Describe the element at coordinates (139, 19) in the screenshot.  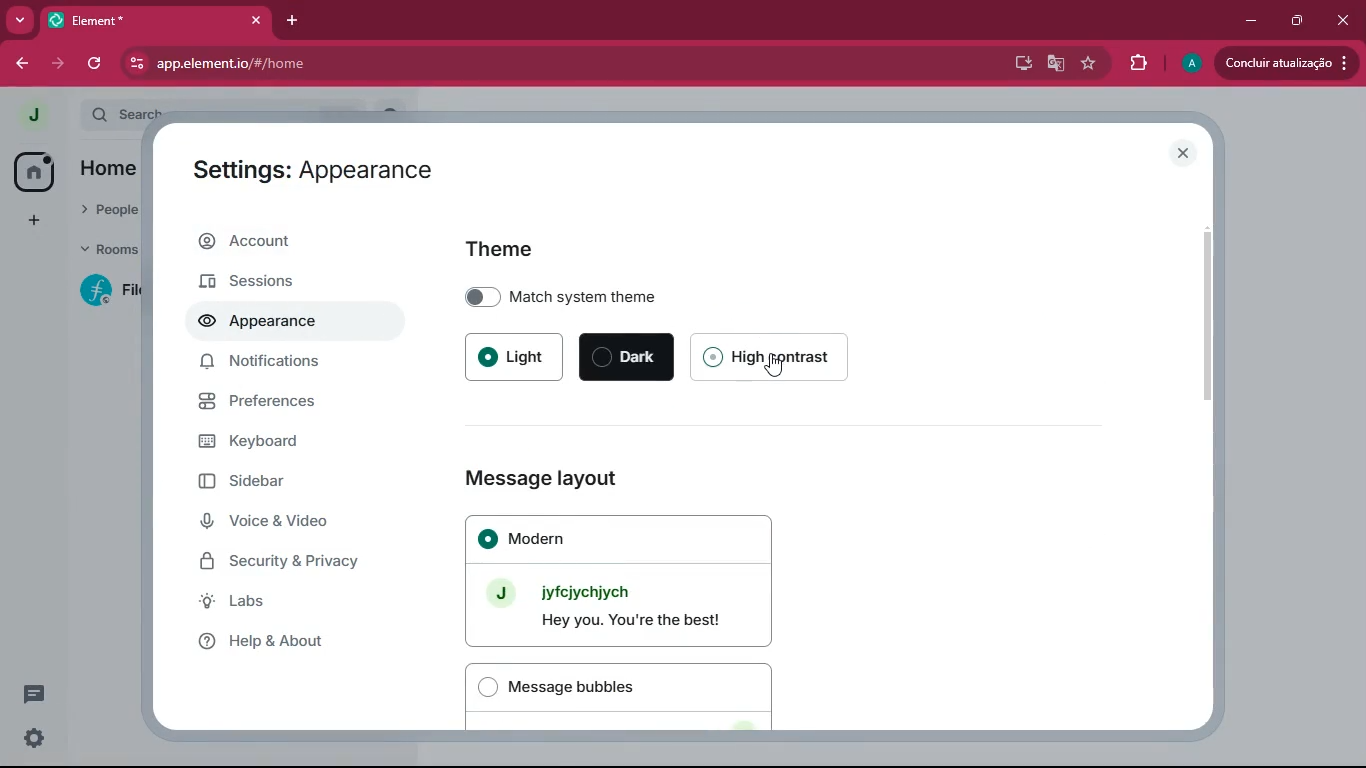
I see `Element*` at that location.